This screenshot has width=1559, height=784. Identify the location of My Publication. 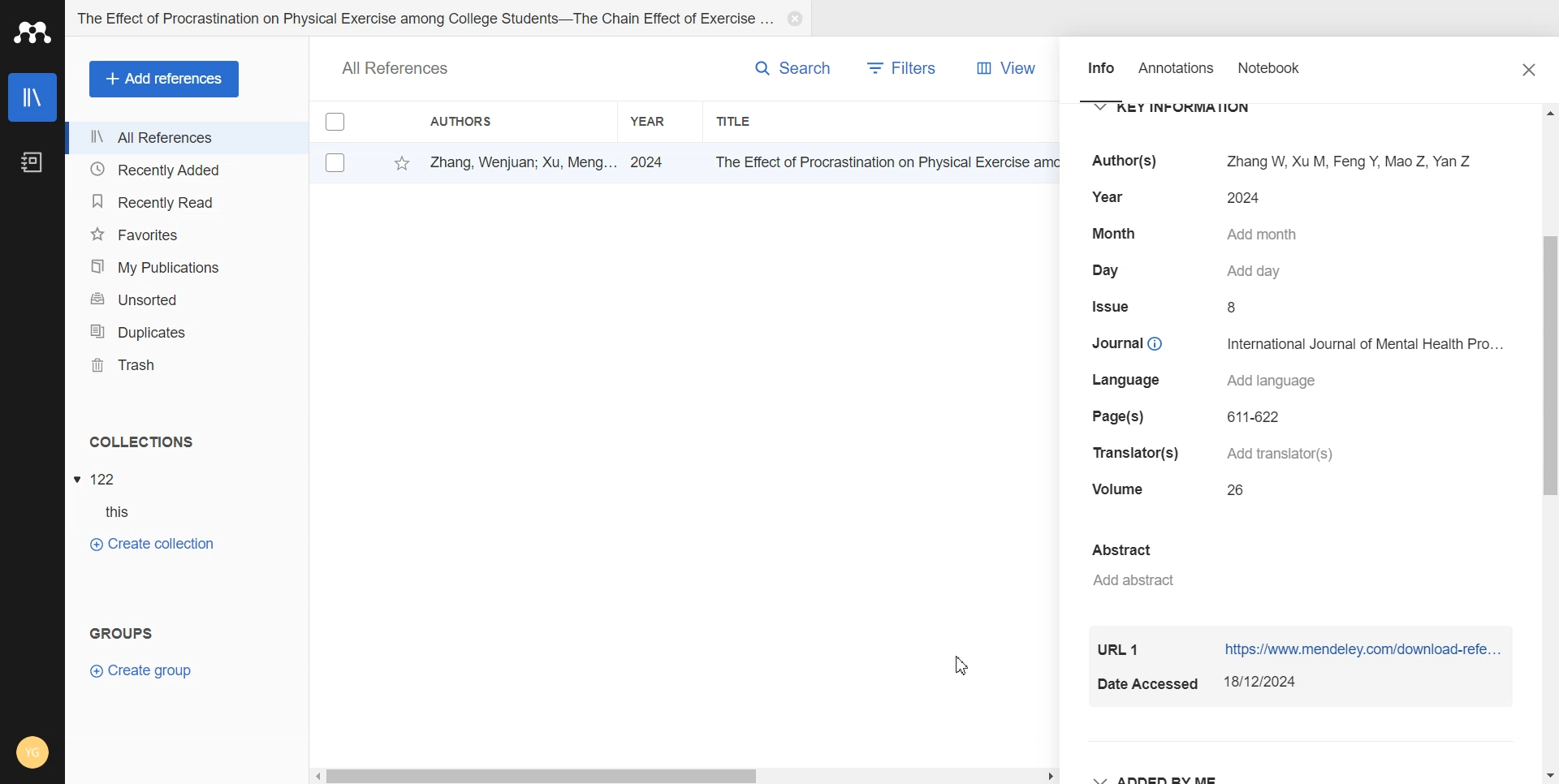
(188, 267).